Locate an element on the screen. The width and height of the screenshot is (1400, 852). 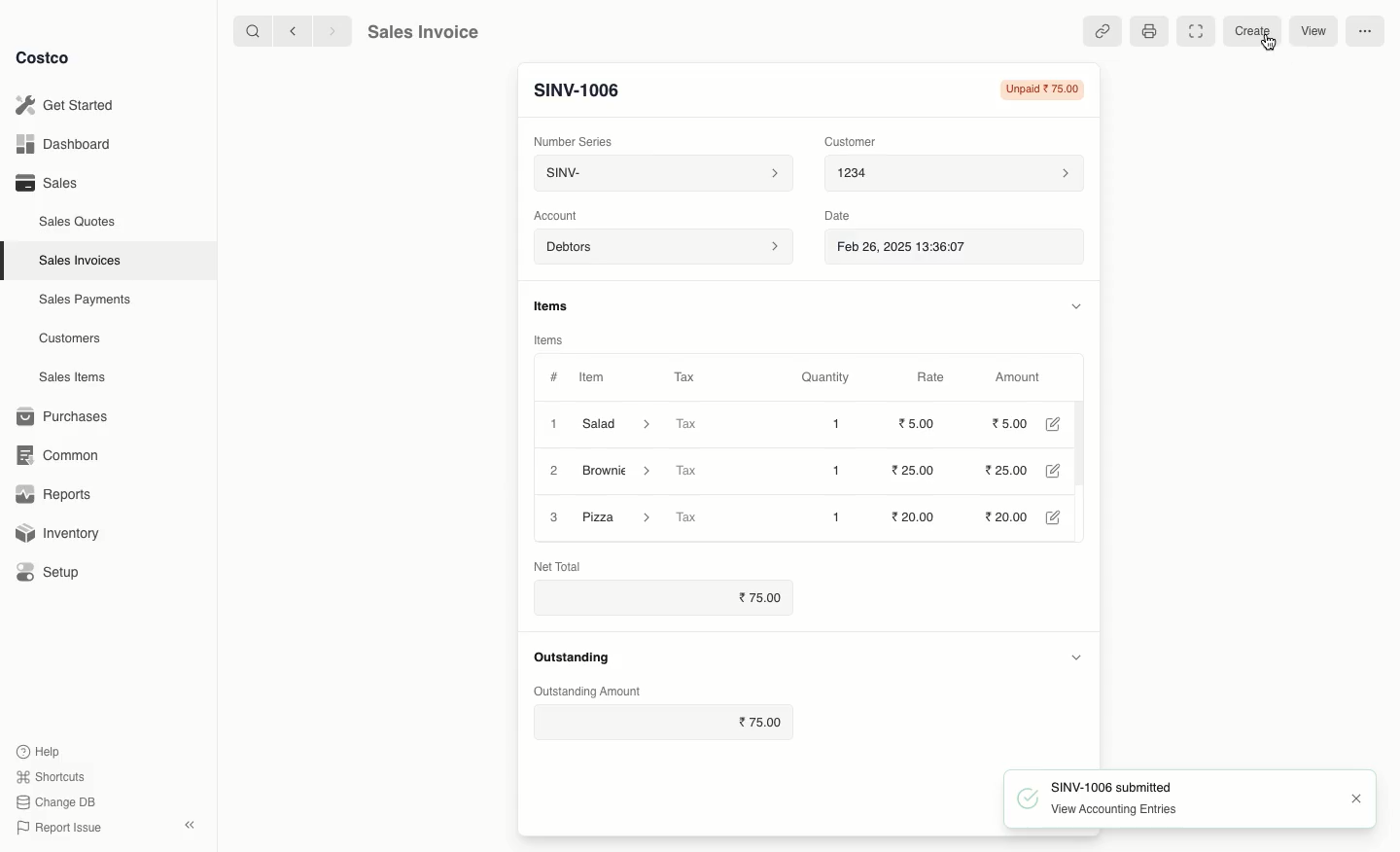
Quantity is located at coordinates (819, 378).